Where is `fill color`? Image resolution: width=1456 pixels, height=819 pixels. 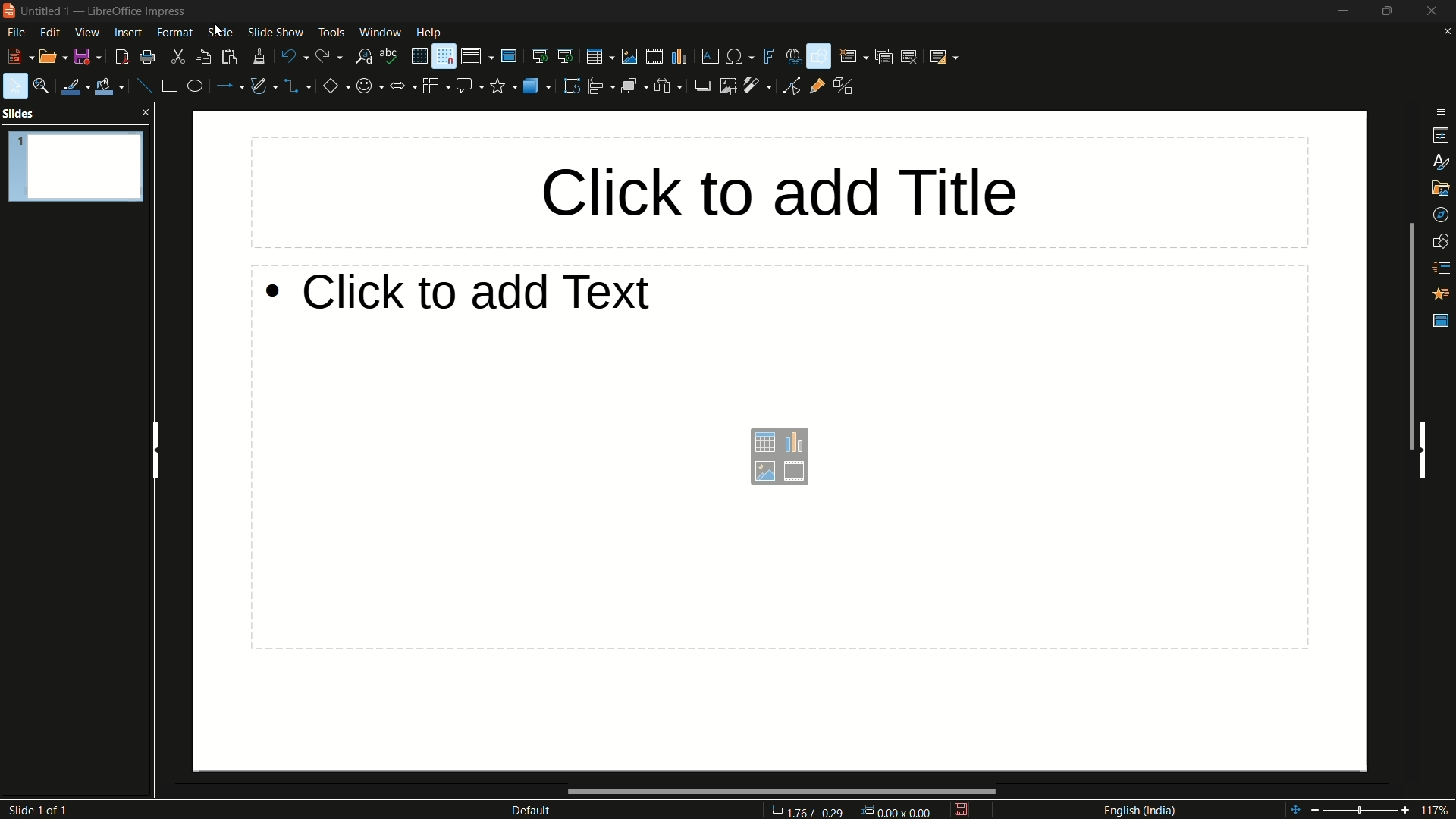
fill color is located at coordinates (110, 86).